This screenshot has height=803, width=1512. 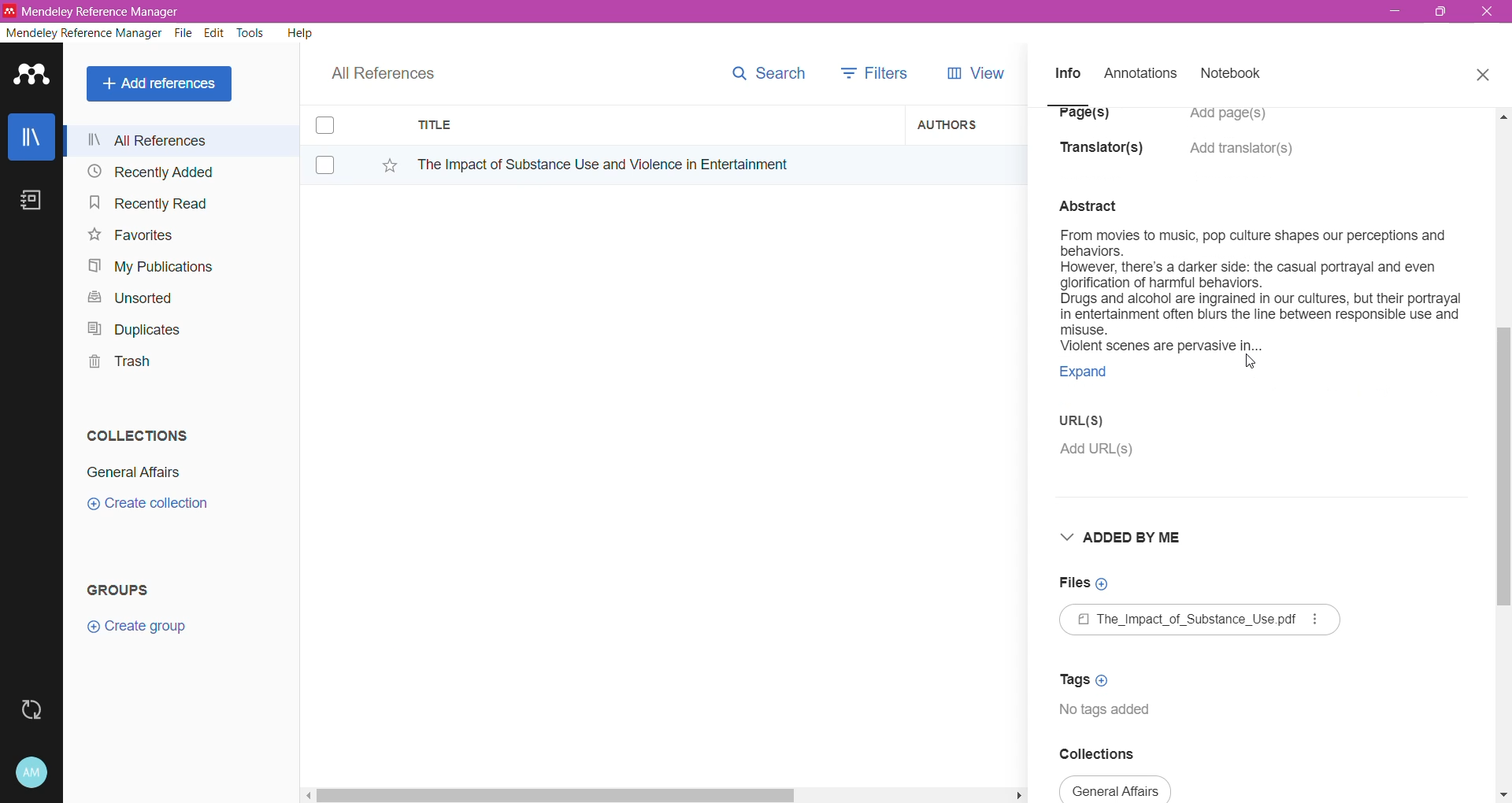 I want to click on Click to Create Collection, so click(x=147, y=506).